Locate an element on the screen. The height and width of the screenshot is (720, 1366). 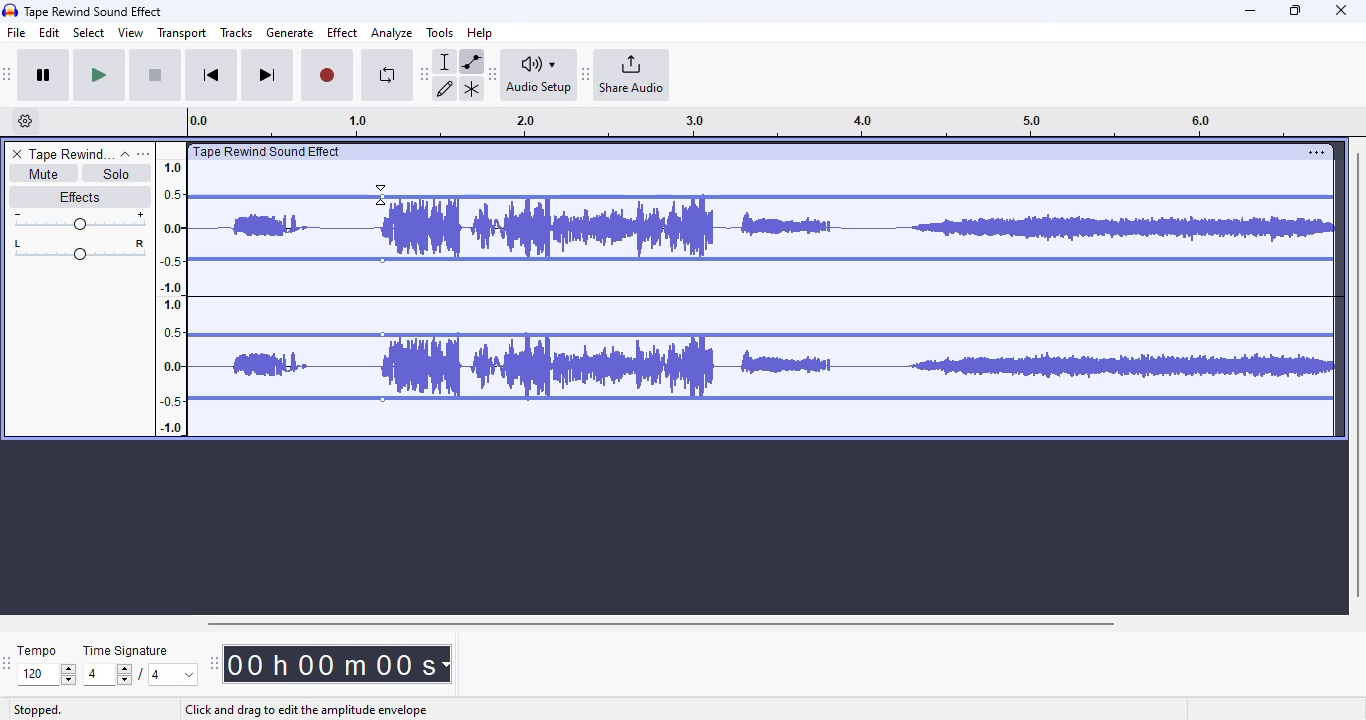
collapse is located at coordinates (125, 154).